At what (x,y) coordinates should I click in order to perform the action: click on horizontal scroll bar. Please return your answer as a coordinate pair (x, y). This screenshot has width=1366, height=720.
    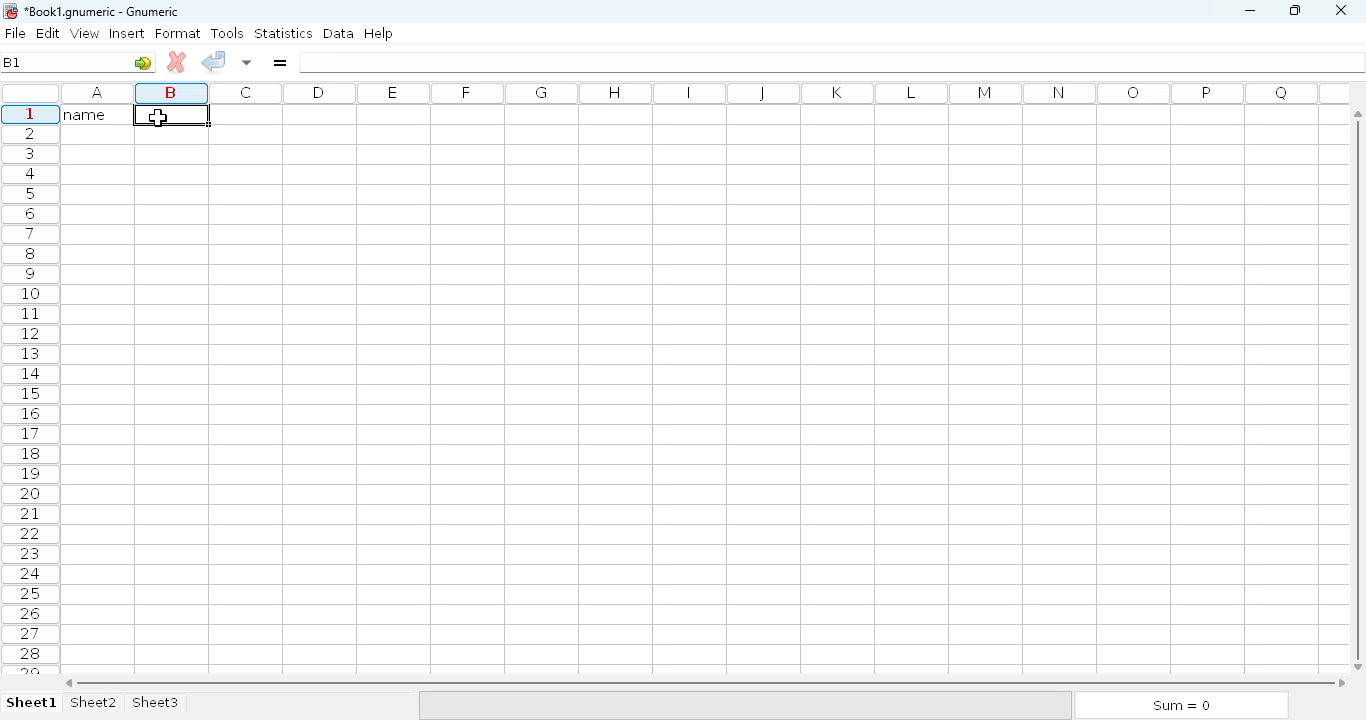
    Looking at the image, I should click on (705, 683).